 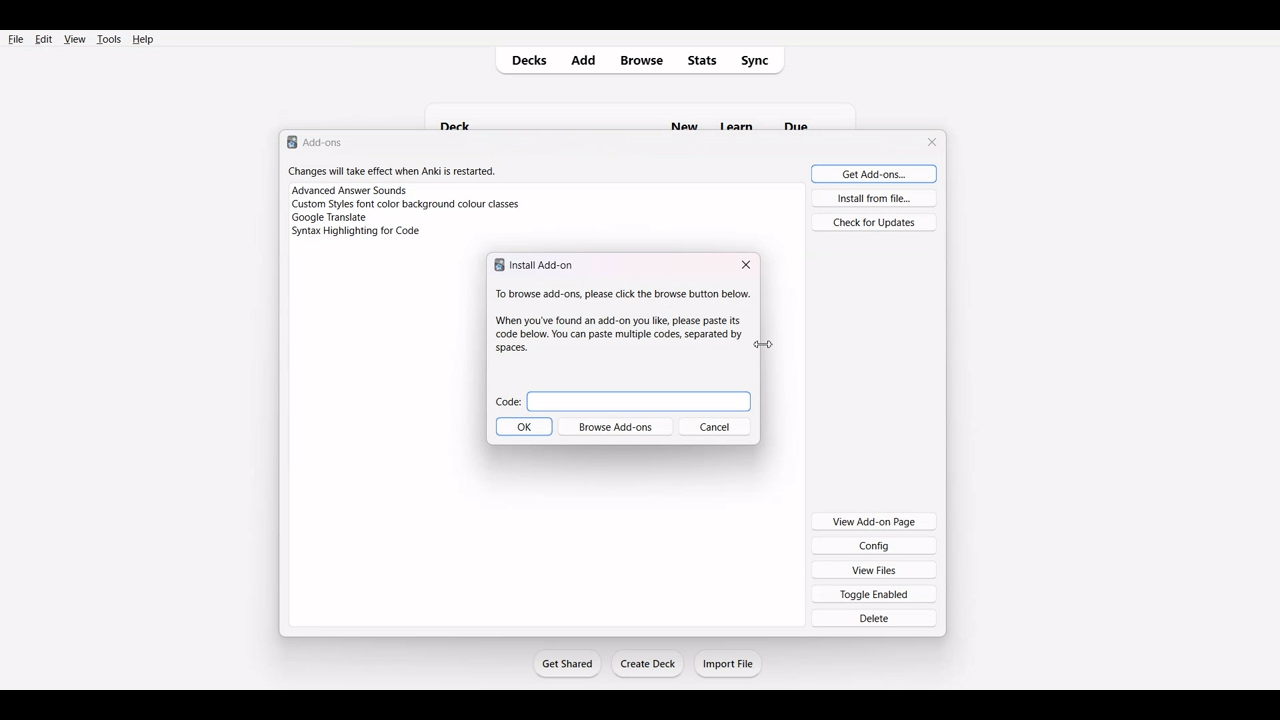 What do you see at coordinates (108, 39) in the screenshot?
I see `Tools` at bounding box center [108, 39].